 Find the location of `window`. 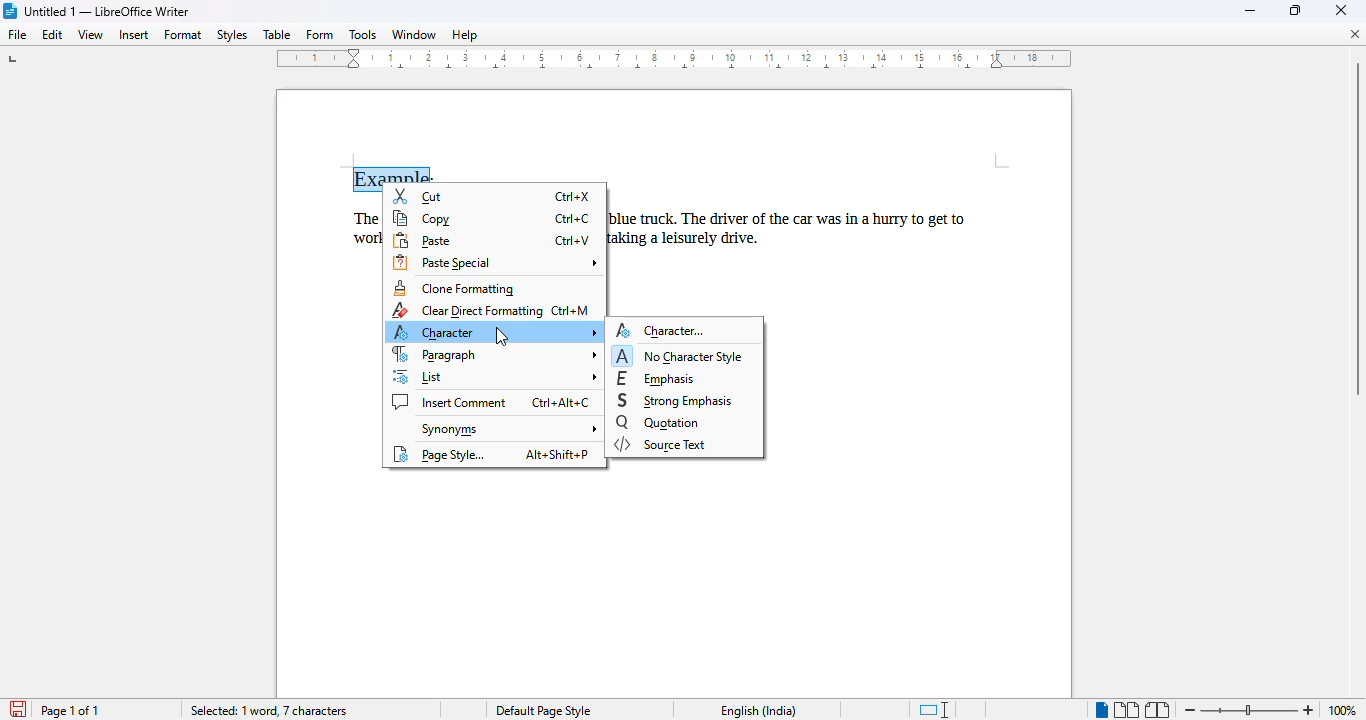

window is located at coordinates (414, 34).